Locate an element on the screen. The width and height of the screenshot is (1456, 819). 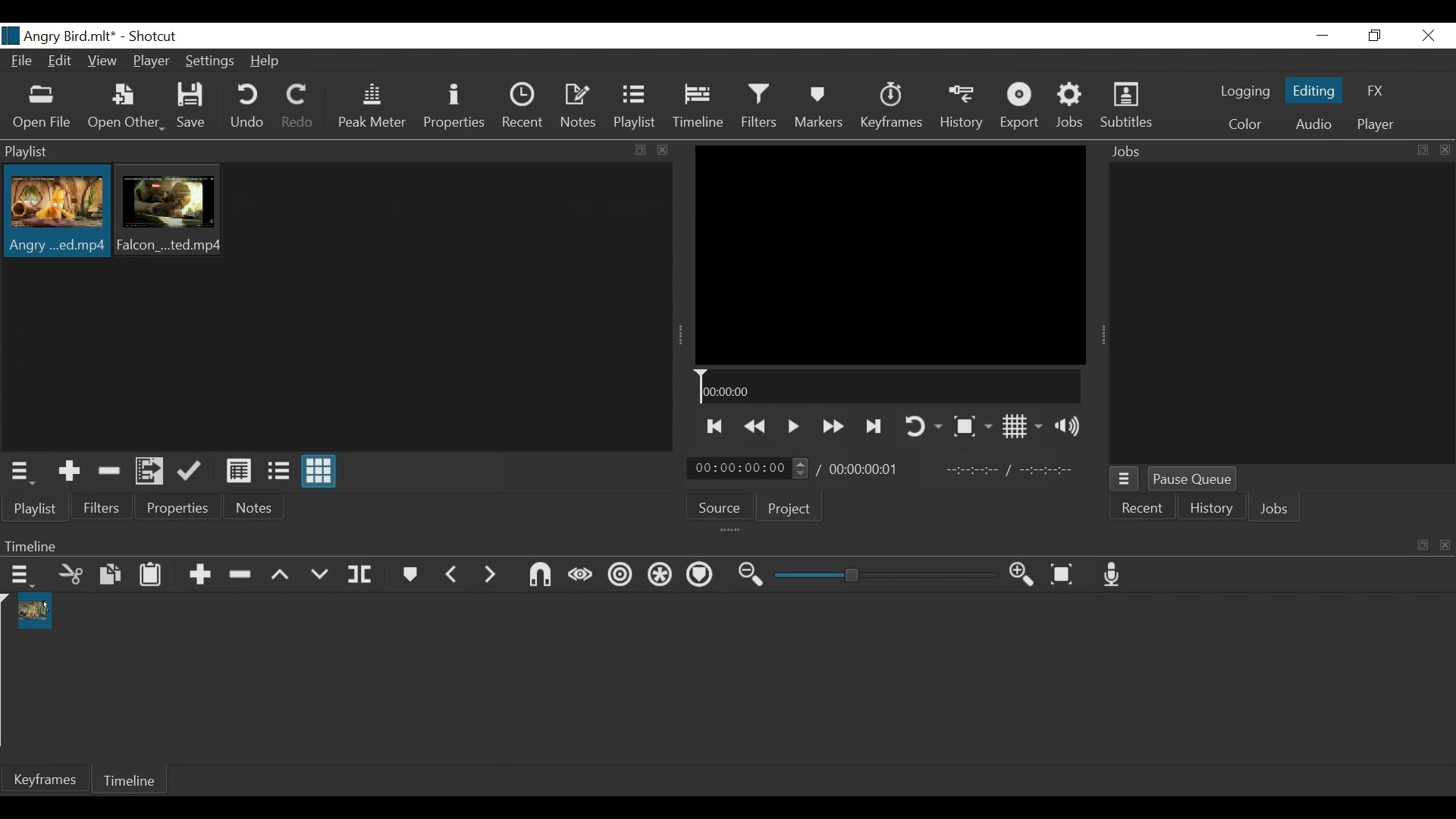
Show volume control is located at coordinates (1071, 425).